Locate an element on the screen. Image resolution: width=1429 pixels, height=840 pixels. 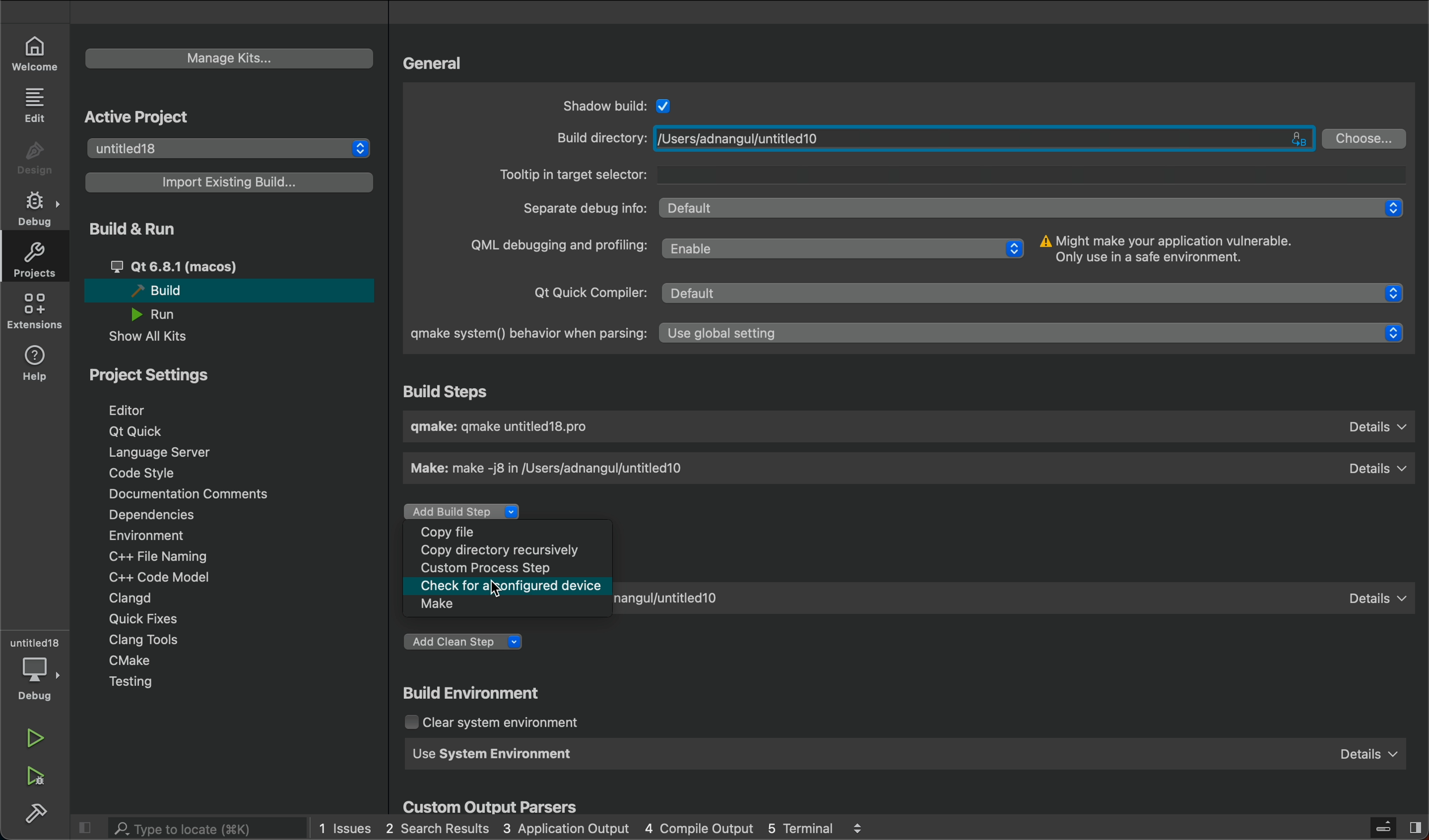
Add Build Step is located at coordinates (464, 511).